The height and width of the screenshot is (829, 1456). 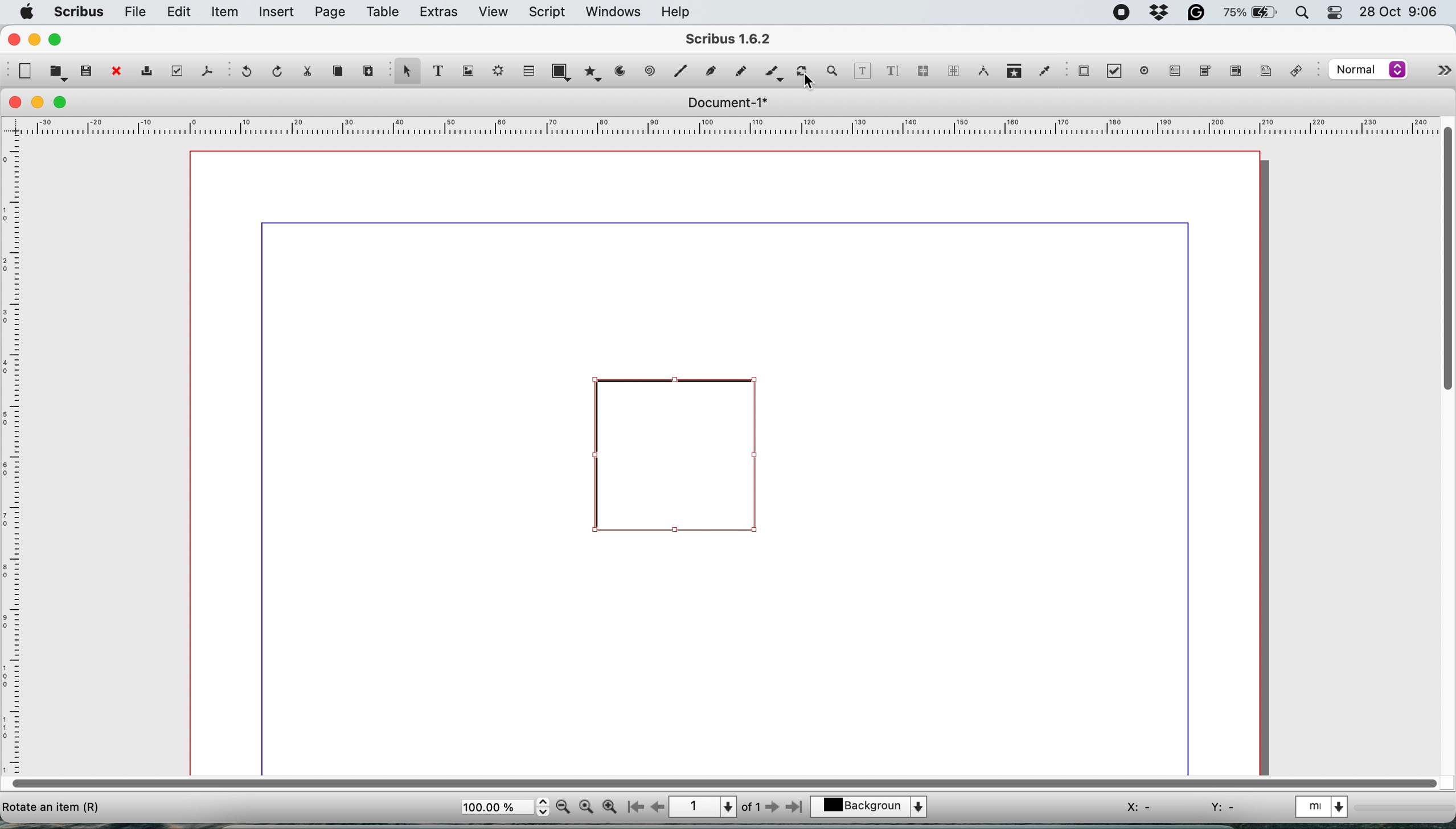 I want to click on arc, so click(x=619, y=75).